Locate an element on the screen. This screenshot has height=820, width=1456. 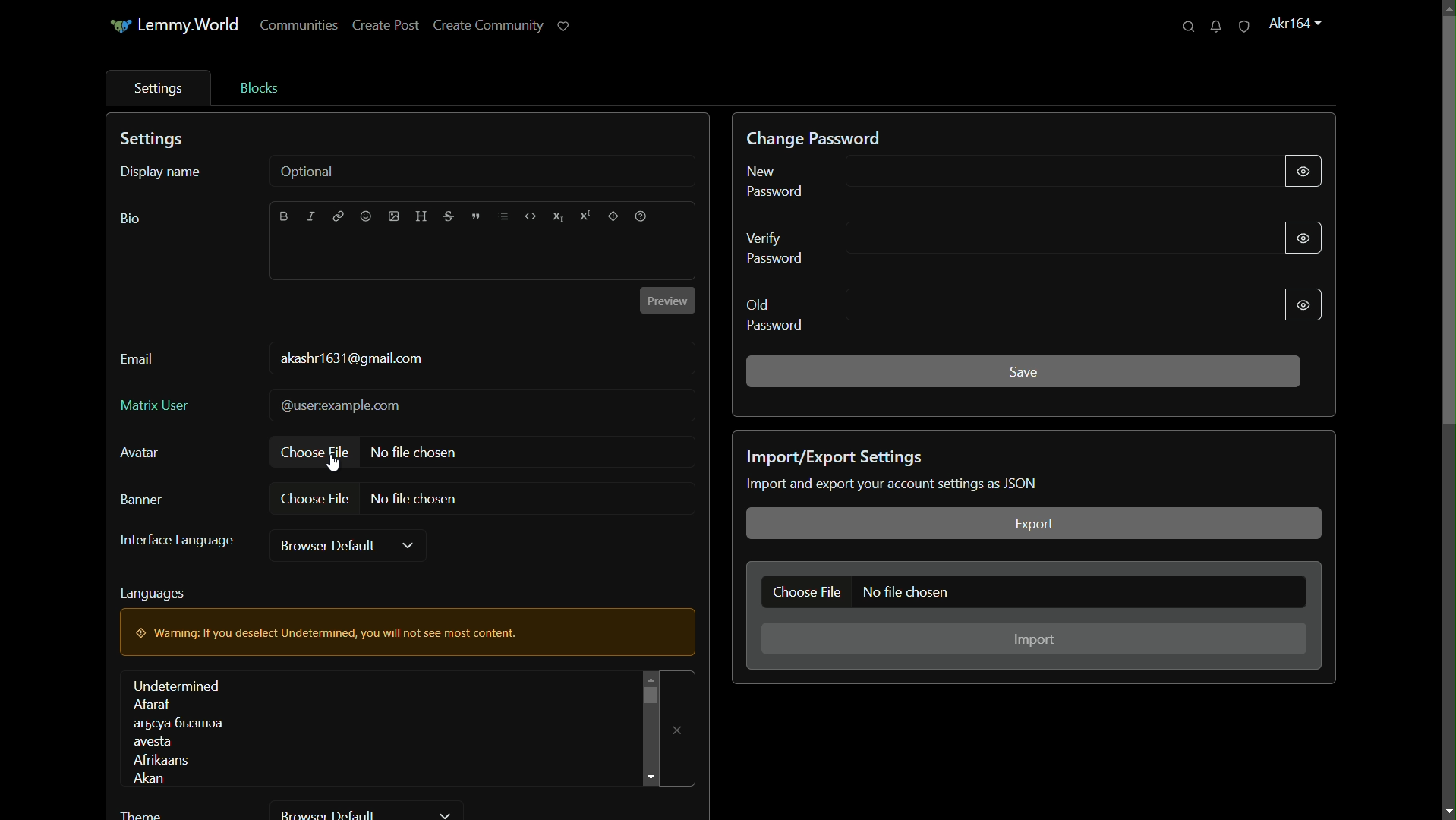
email is located at coordinates (137, 360).